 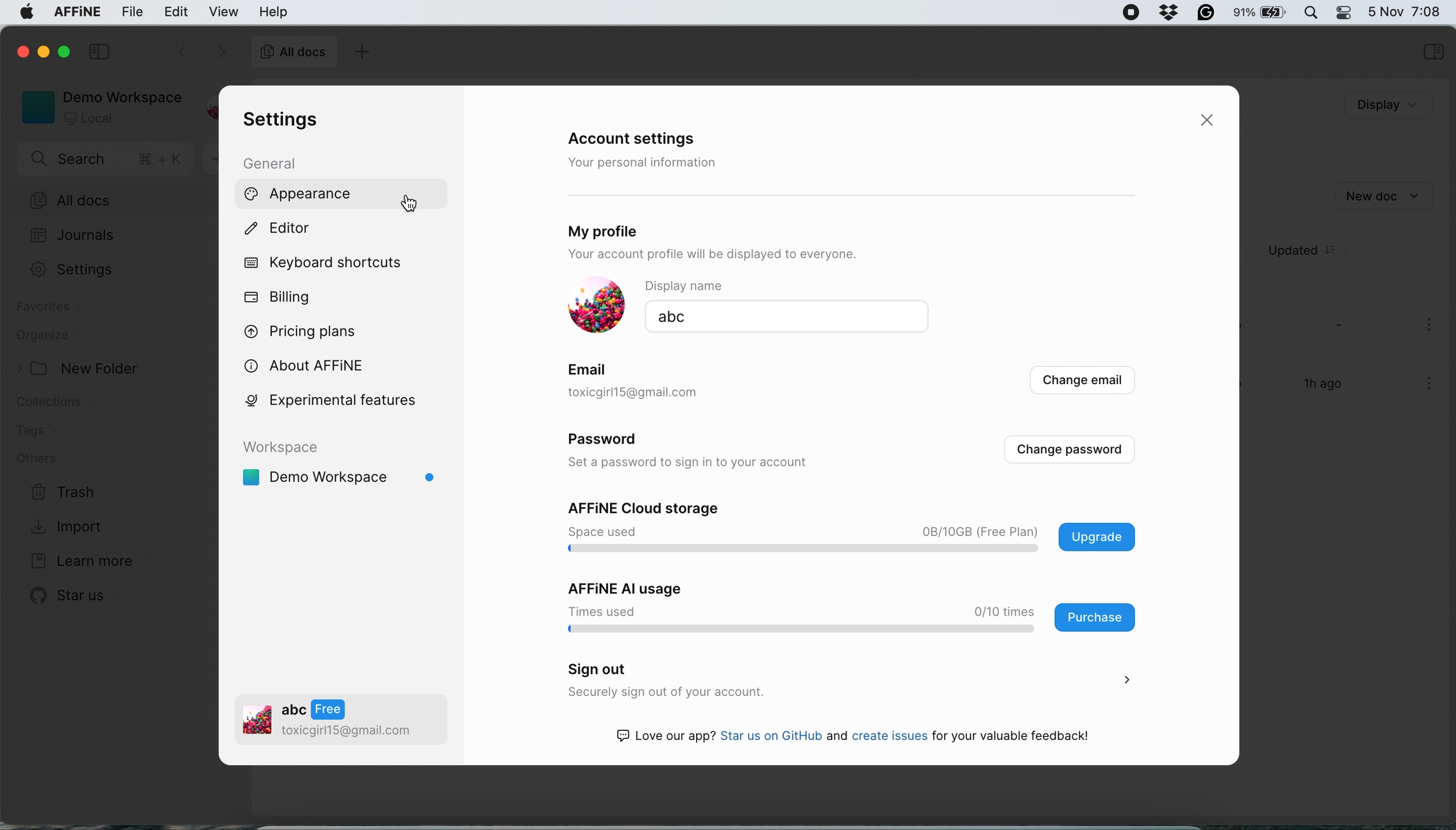 What do you see at coordinates (1424, 386) in the screenshot?
I see `more options` at bounding box center [1424, 386].